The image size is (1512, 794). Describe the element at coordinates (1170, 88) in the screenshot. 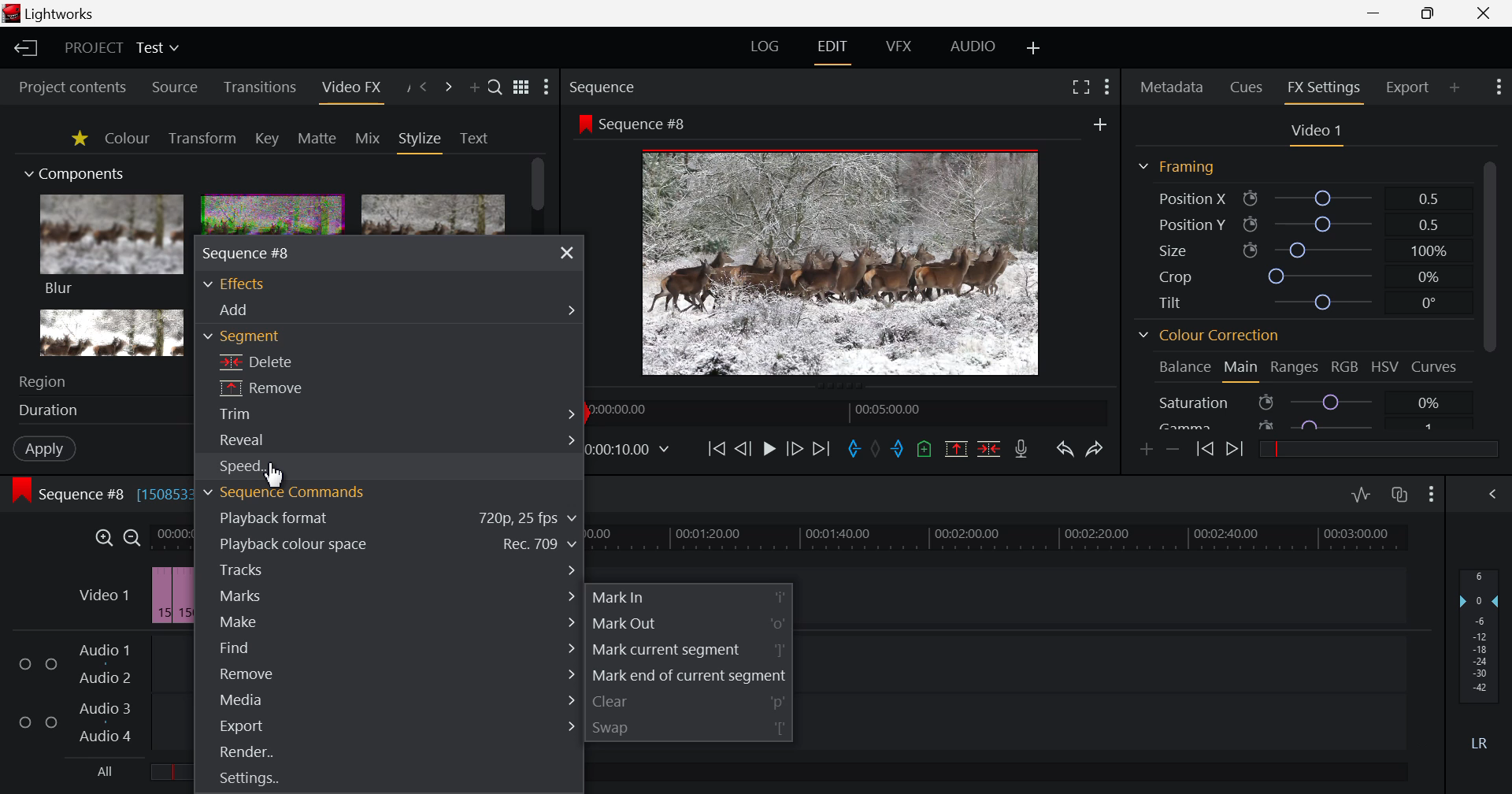

I see `Metadata` at that location.